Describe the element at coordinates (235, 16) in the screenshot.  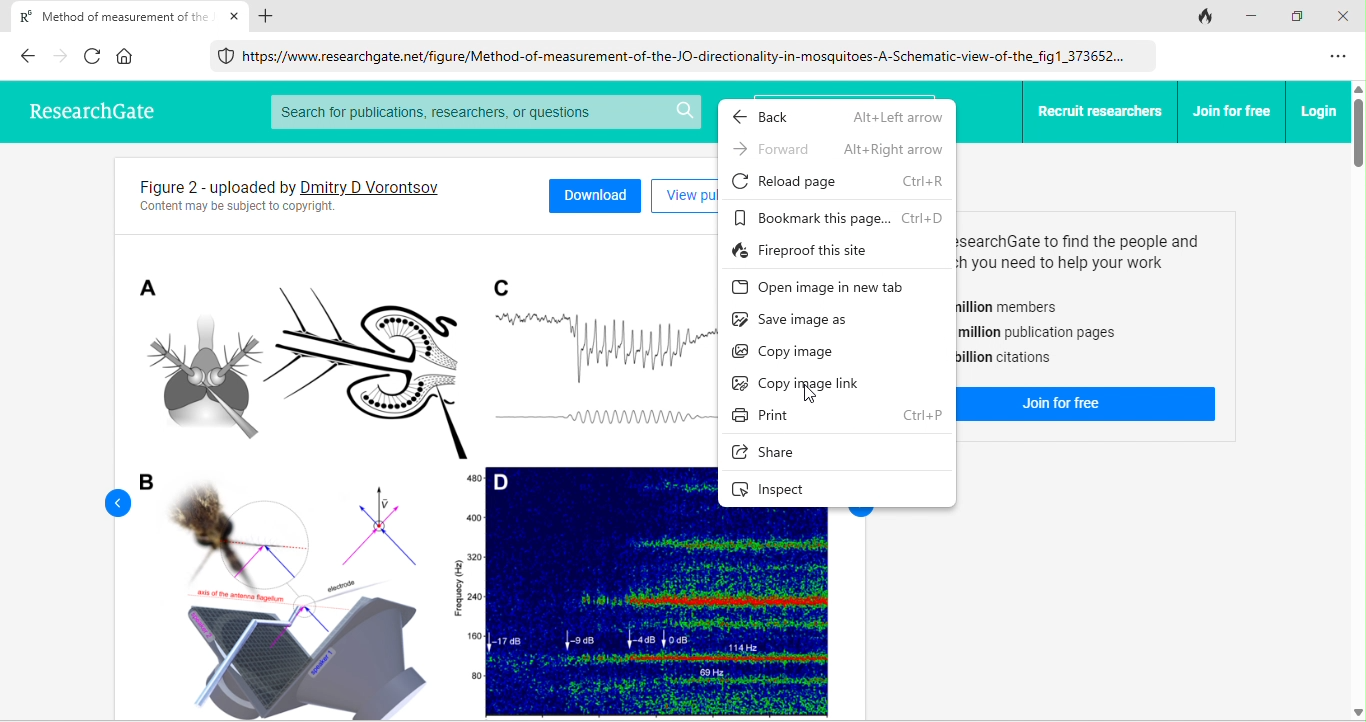
I see `close` at that location.